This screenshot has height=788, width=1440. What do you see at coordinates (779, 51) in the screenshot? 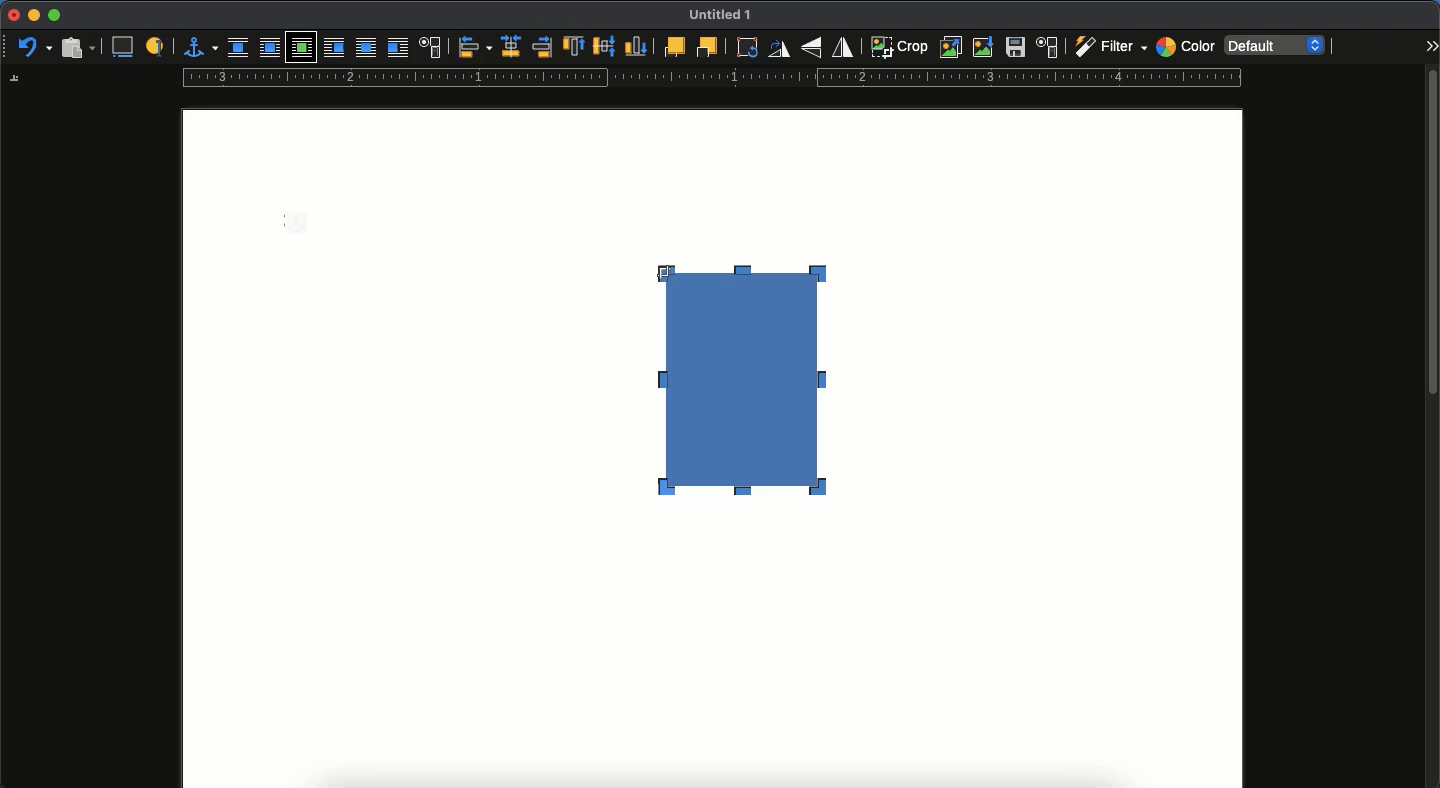
I see `rotate 90 right` at bounding box center [779, 51].